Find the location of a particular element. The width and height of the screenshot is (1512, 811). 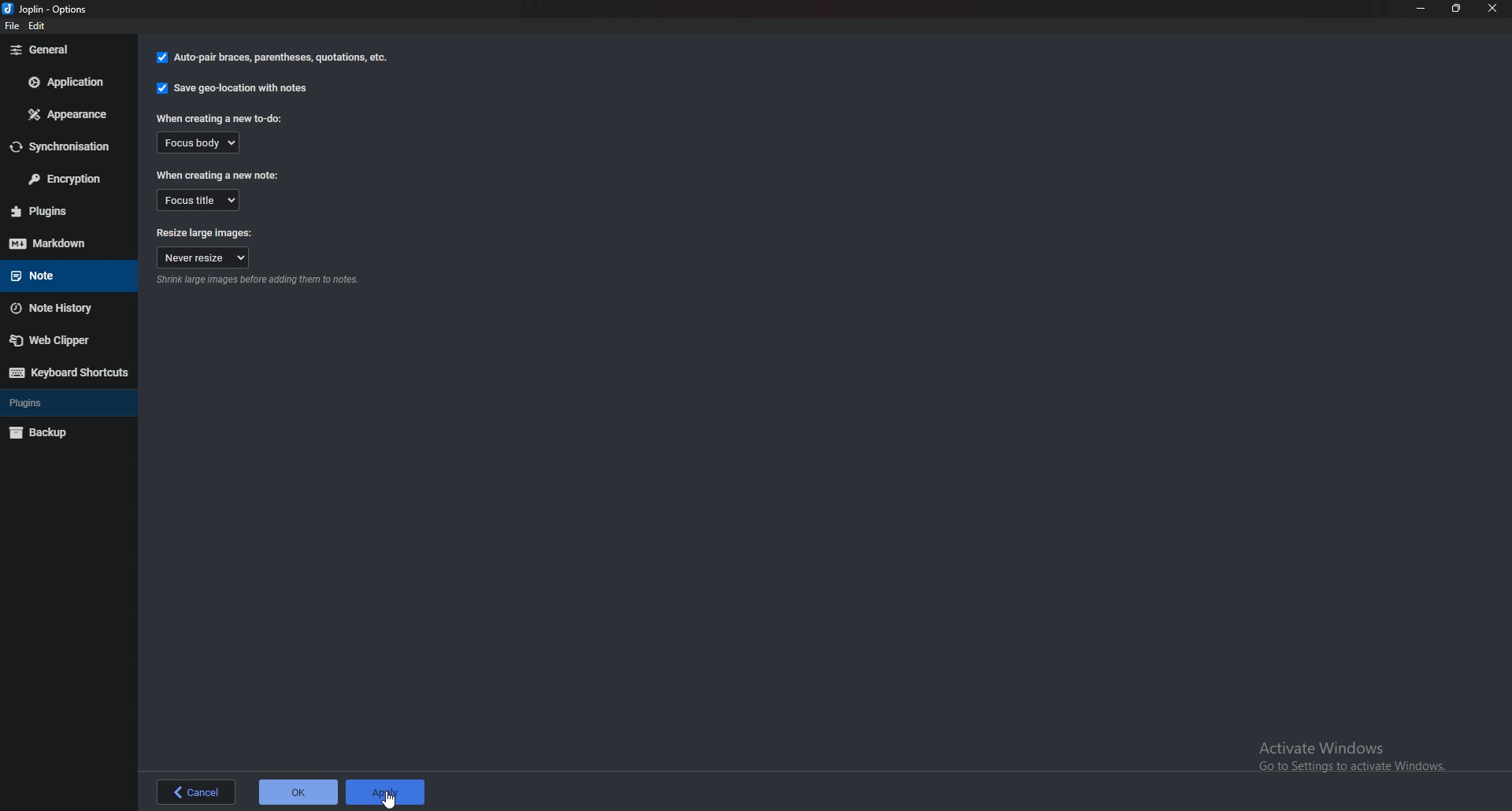

options is located at coordinates (53, 9).